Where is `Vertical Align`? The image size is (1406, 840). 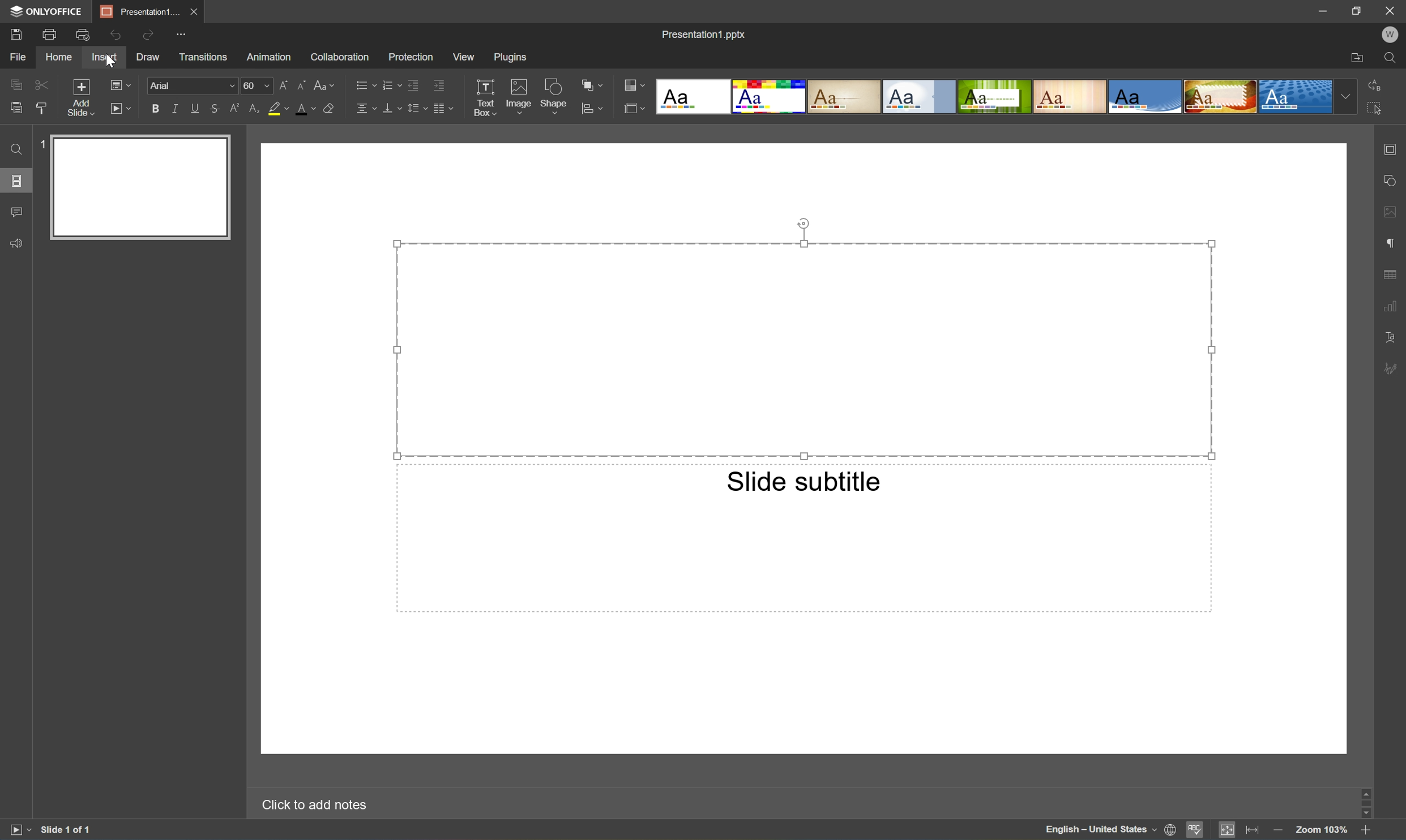 Vertical Align is located at coordinates (391, 109).